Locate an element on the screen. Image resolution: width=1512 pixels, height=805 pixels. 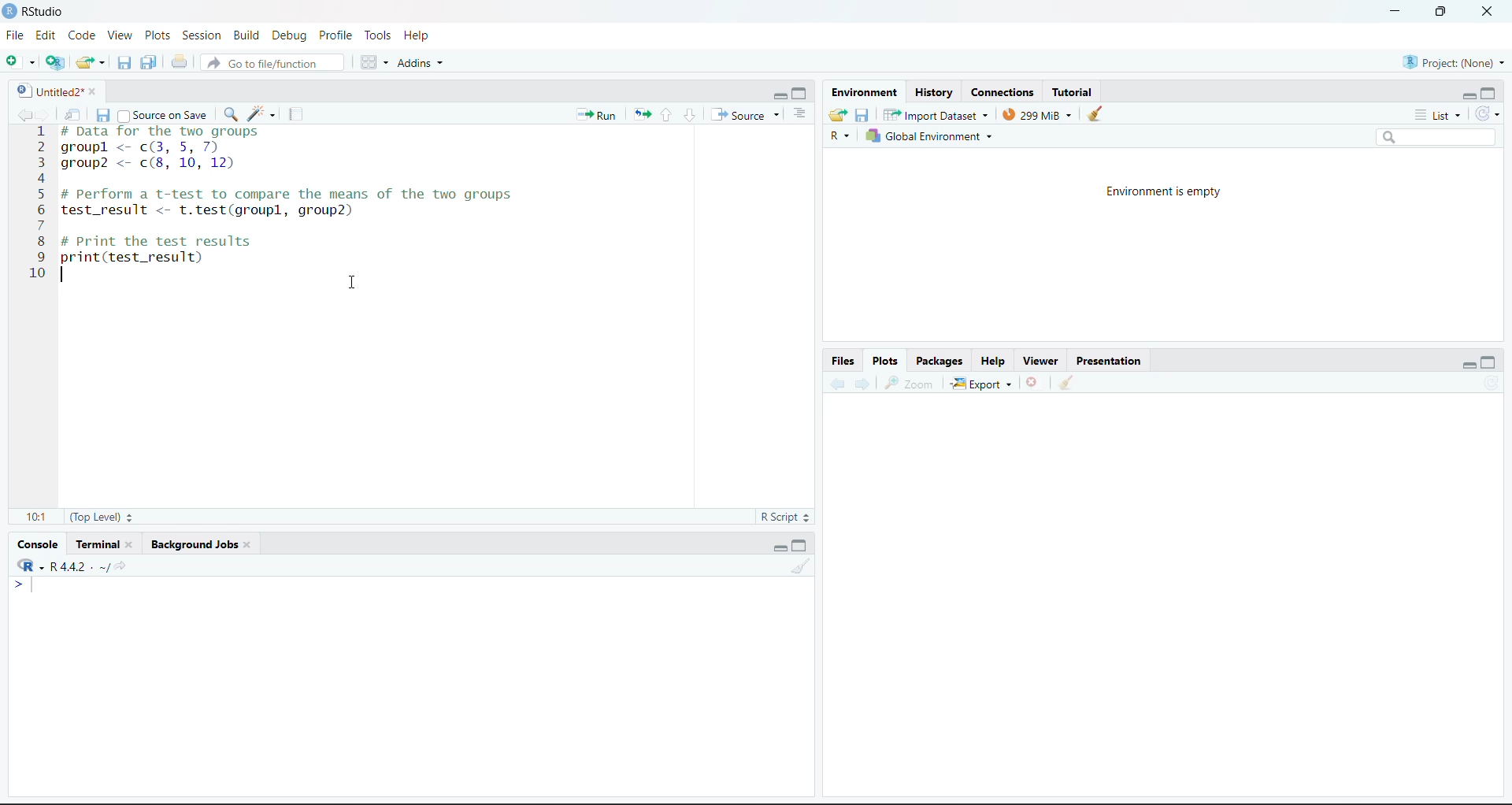
save current document is located at coordinates (124, 61).